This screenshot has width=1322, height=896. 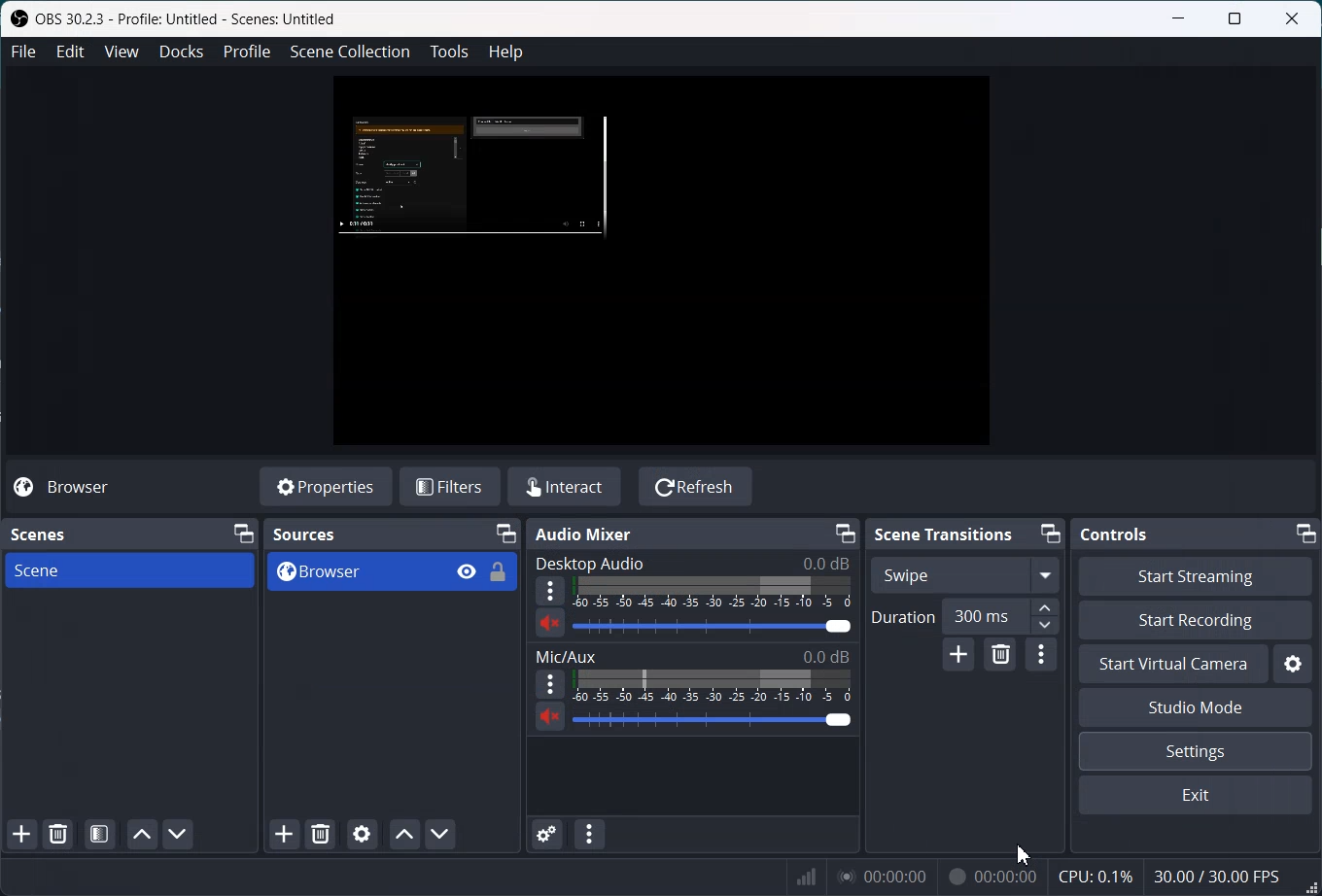 What do you see at coordinates (361, 834) in the screenshot?
I see `Open Source properties` at bounding box center [361, 834].